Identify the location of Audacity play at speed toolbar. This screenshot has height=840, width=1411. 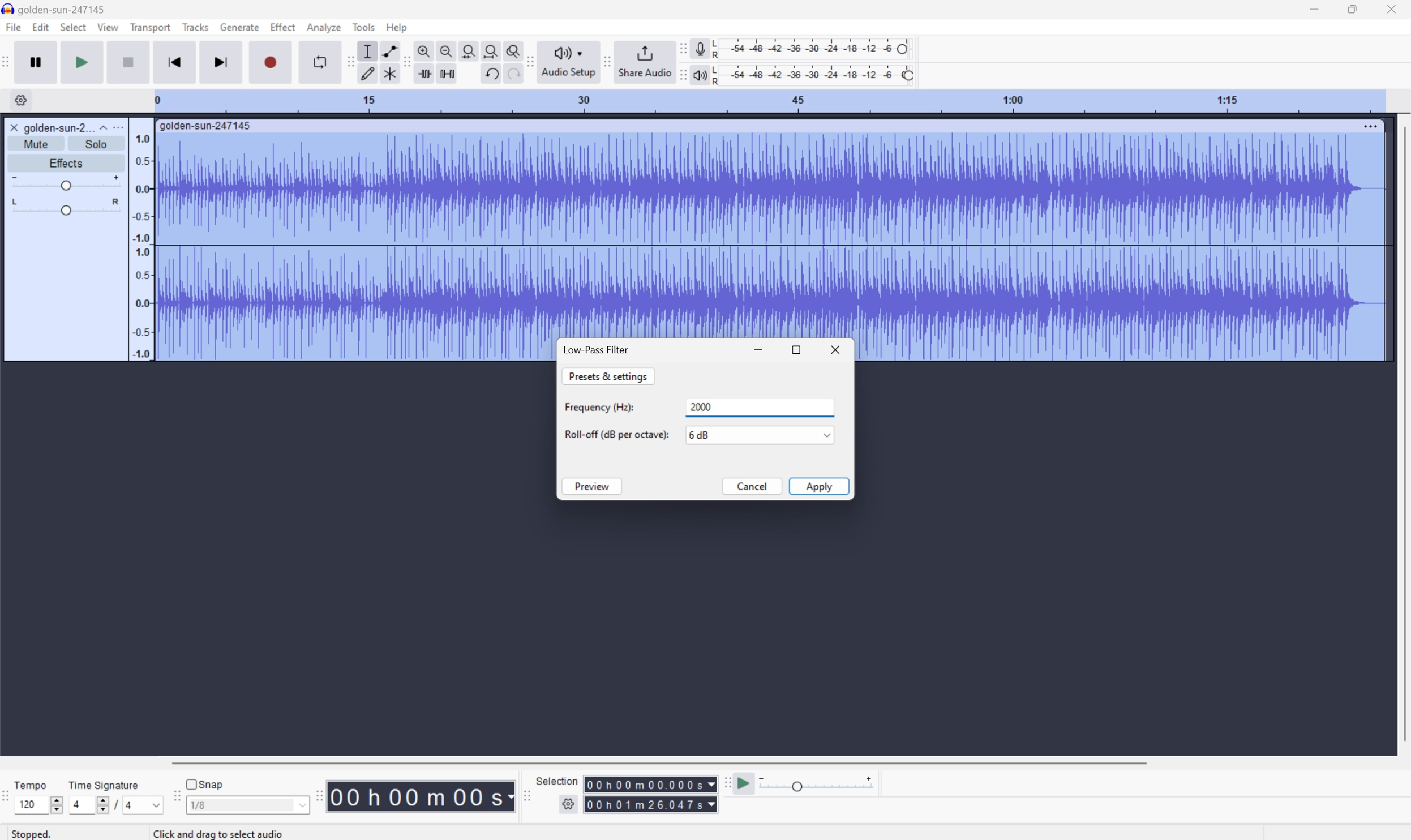
(726, 784).